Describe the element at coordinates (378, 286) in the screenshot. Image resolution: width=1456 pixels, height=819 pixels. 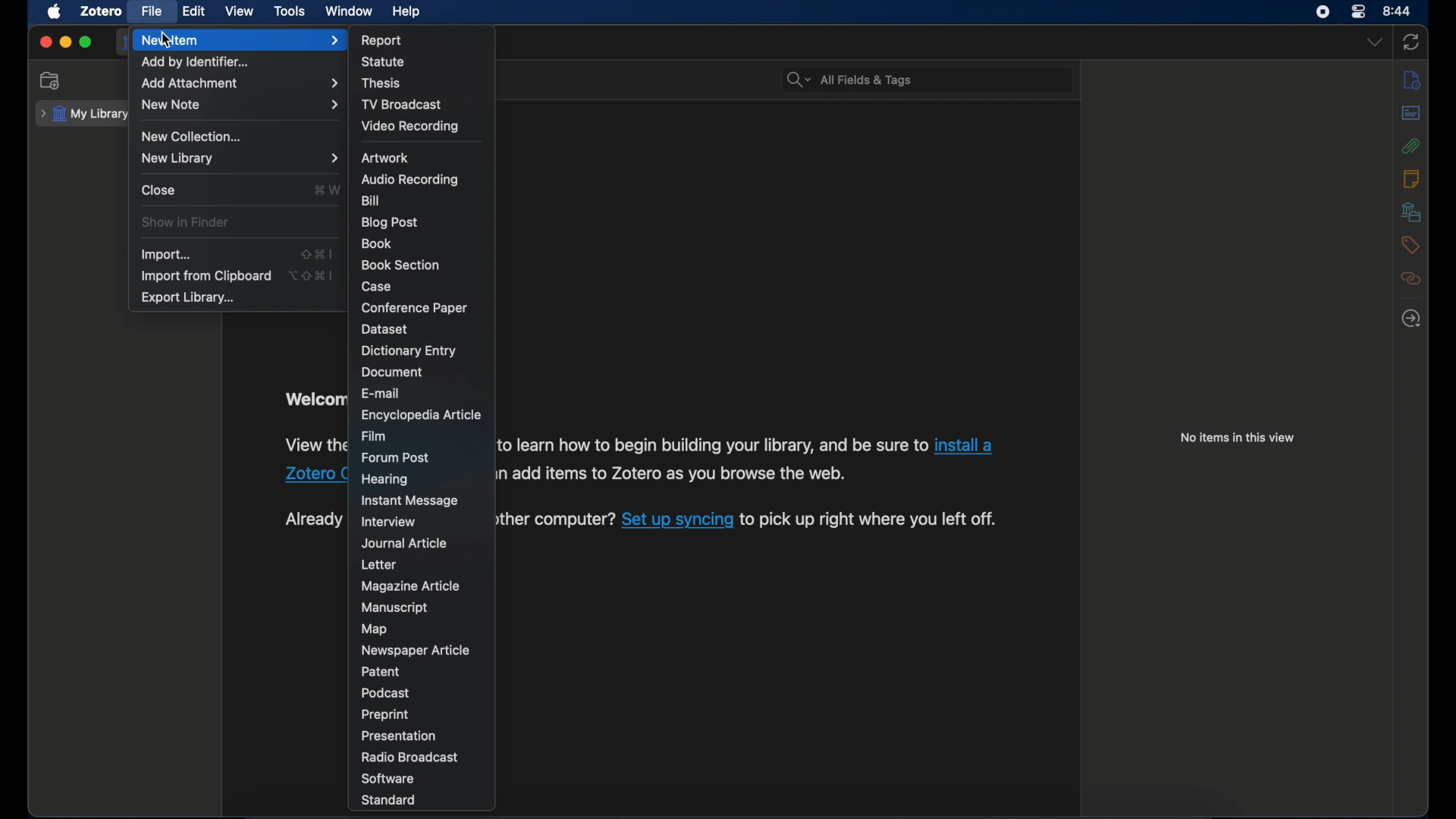
I see `case` at that location.